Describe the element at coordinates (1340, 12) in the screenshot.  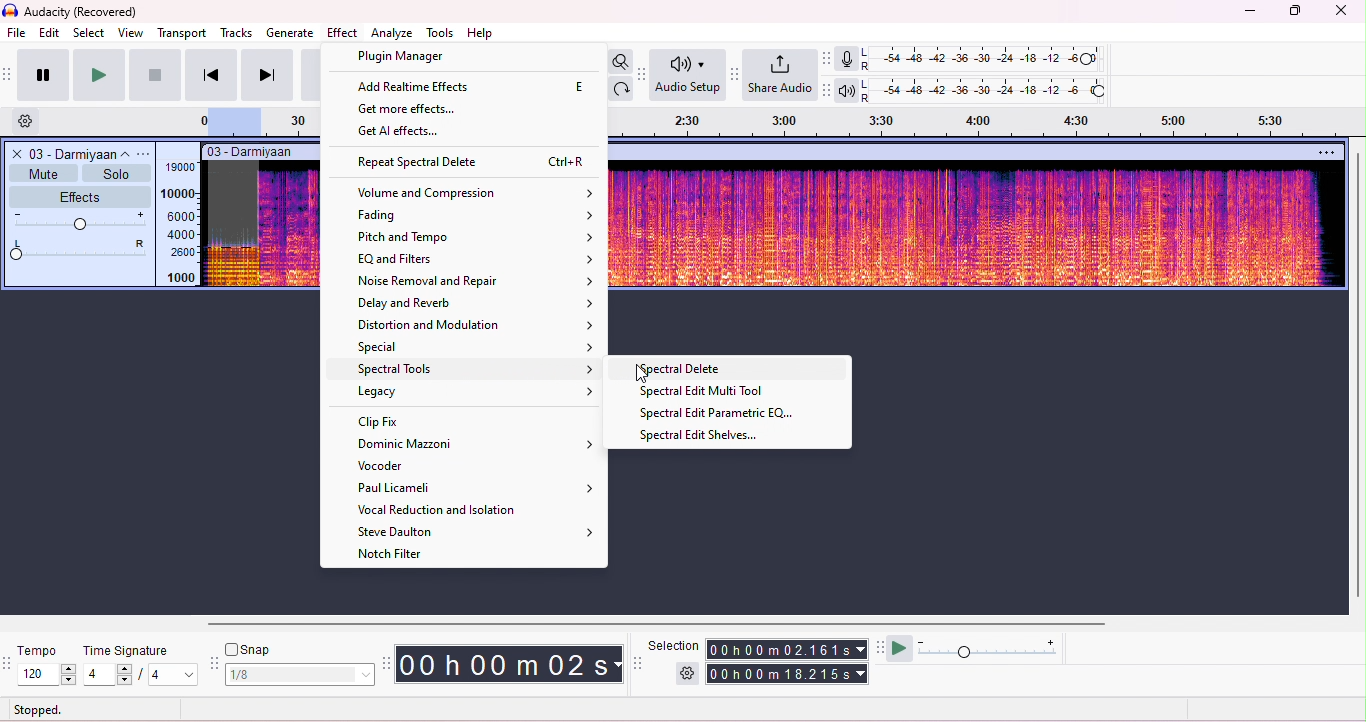
I see `close` at that location.